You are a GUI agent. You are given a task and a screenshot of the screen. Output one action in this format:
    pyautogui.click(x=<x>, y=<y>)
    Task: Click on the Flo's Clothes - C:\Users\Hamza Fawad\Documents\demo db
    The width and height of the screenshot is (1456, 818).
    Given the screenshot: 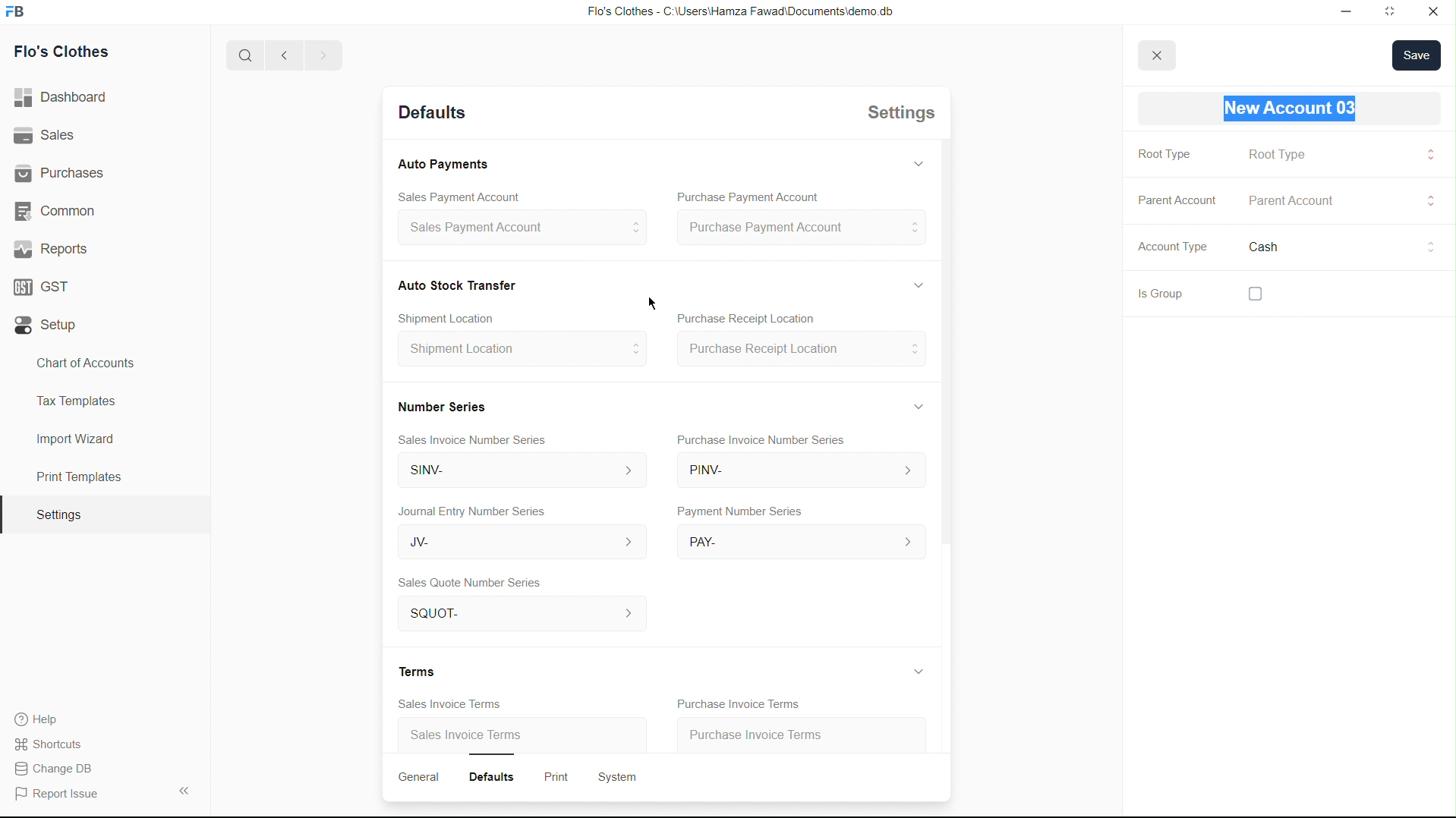 What is the action you would take?
    pyautogui.click(x=739, y=12)
    